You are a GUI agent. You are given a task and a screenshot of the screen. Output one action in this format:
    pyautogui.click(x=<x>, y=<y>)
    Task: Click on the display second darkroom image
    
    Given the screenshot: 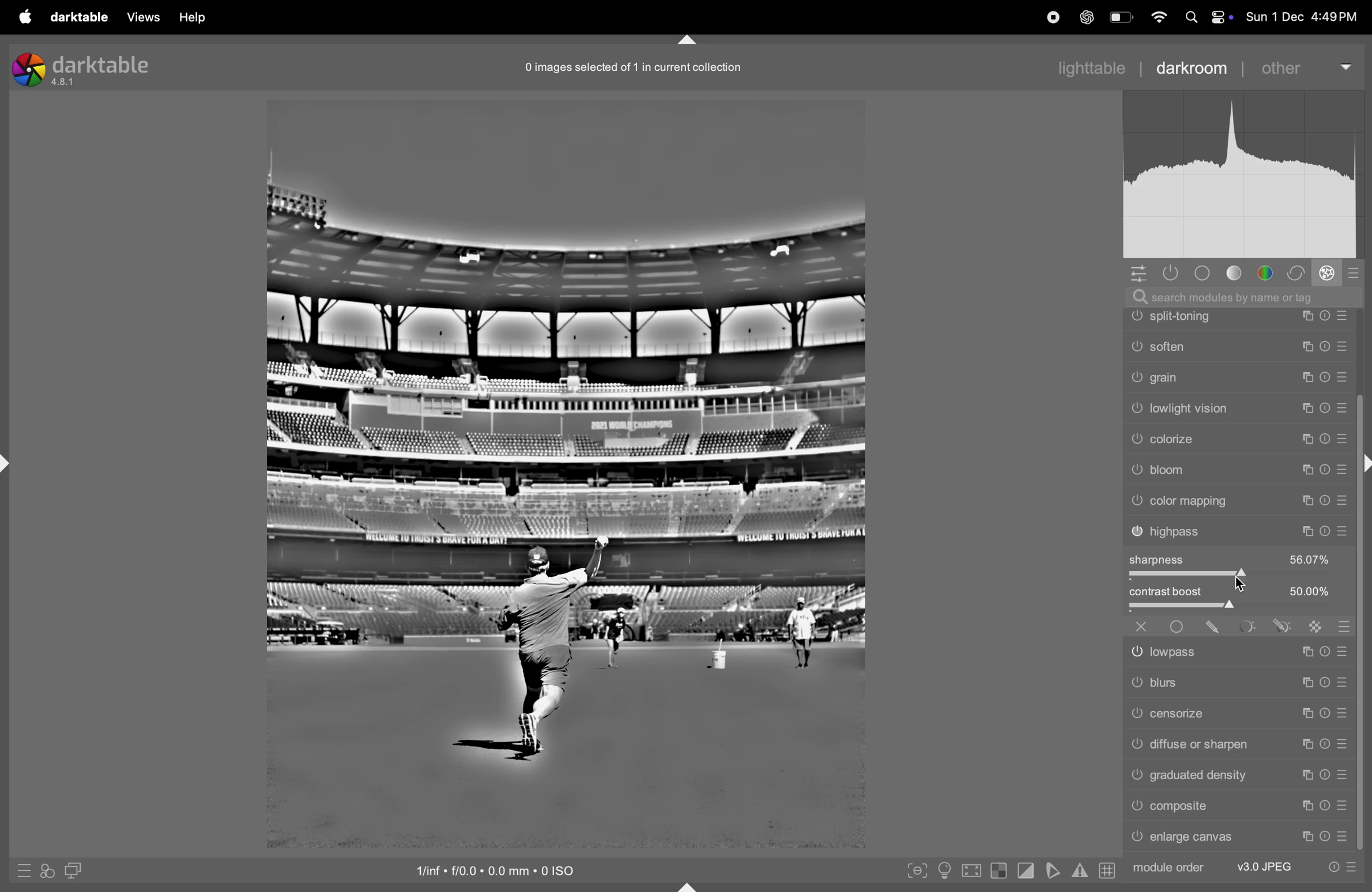 What is the action you would take?
    pyautogui.click(x=72, y=870)
    